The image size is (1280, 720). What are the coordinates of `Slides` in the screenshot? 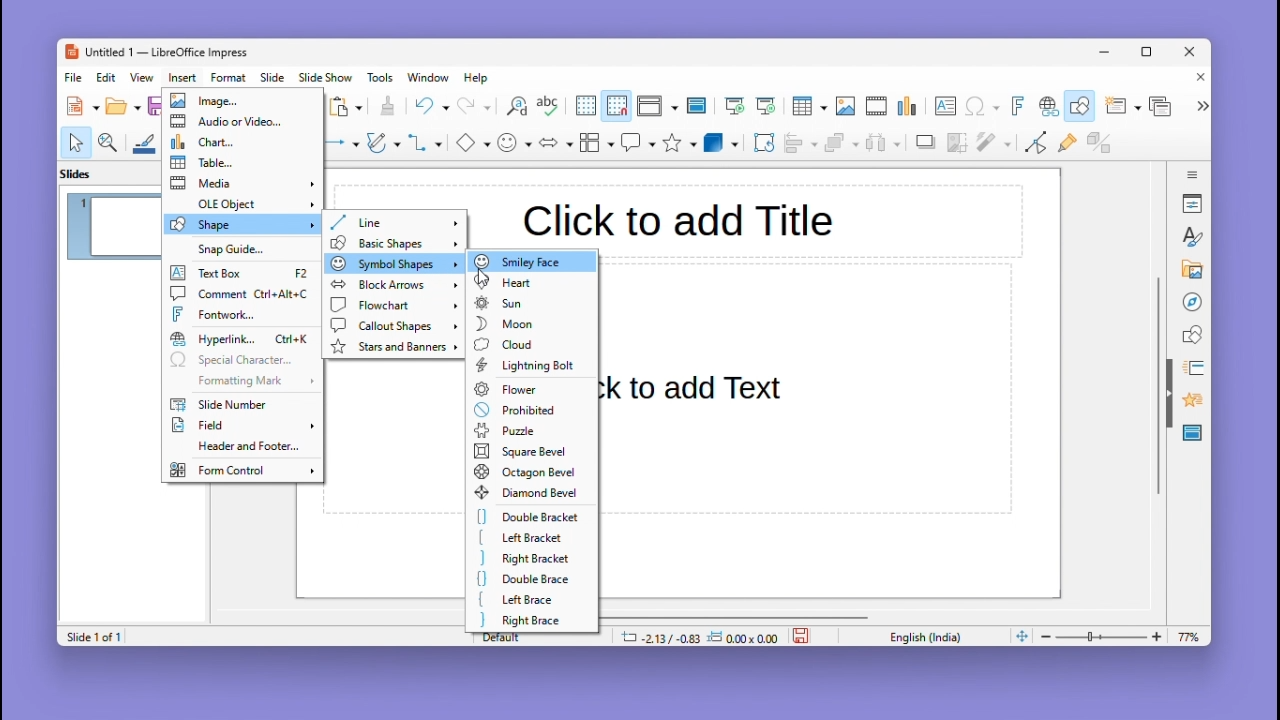 It's located at (86, 173).